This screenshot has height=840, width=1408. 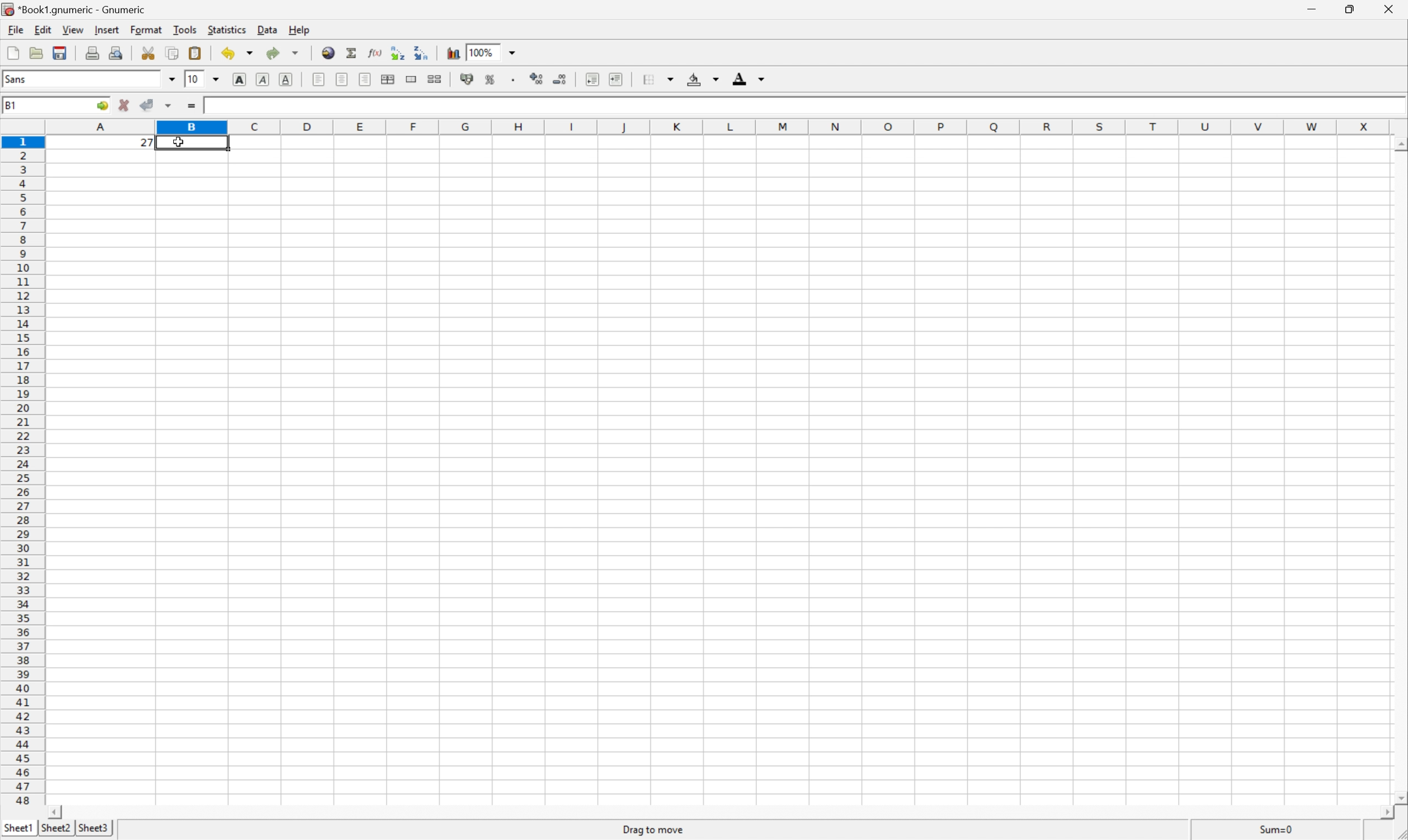 I want to click on File, so click(x=15, y=29).